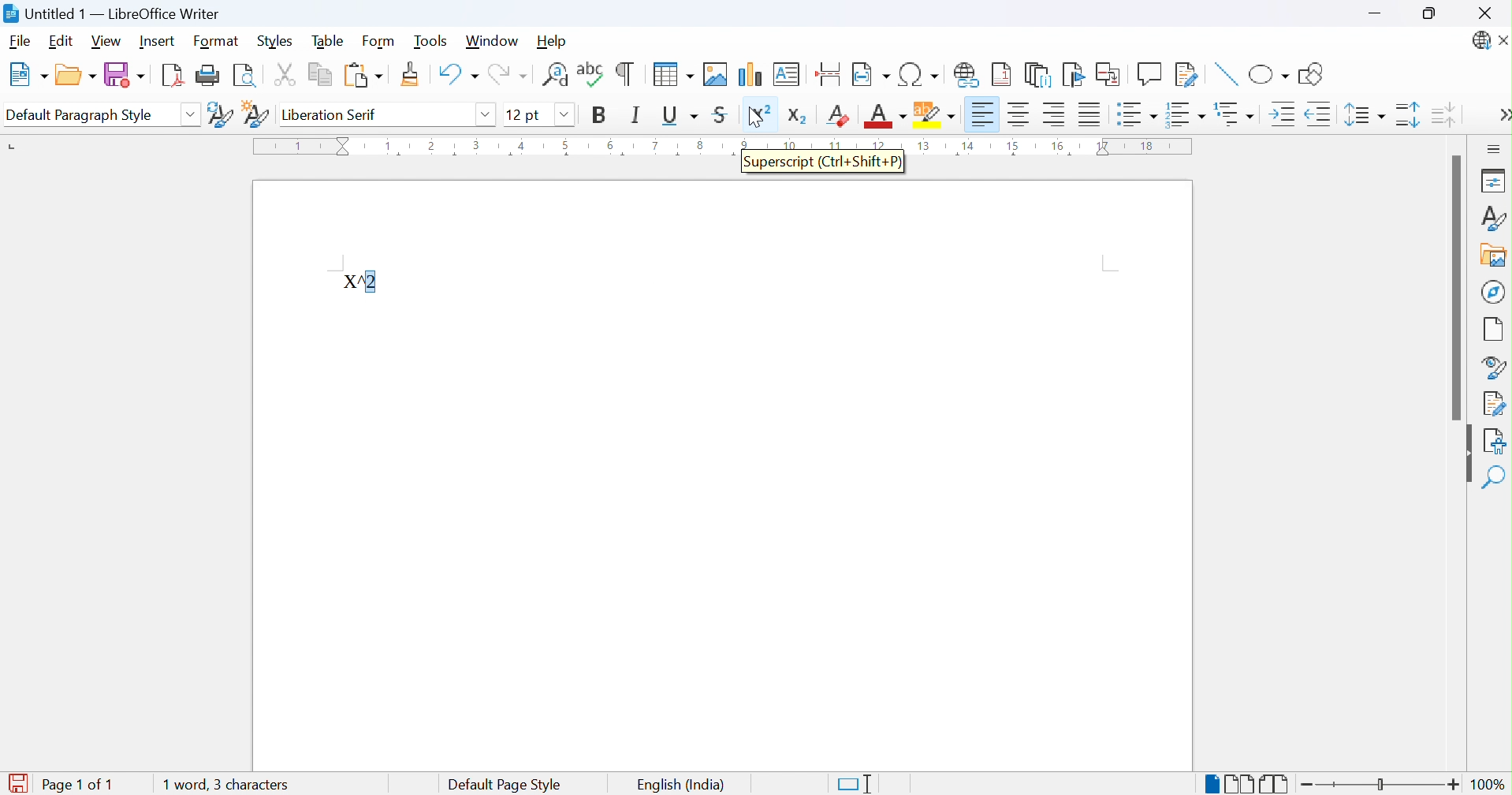 This screenshot has height=795, width=1512. Describe the element at coordinates (1187, 76) in the screenshot. I see `Show track changes functions` at that location.